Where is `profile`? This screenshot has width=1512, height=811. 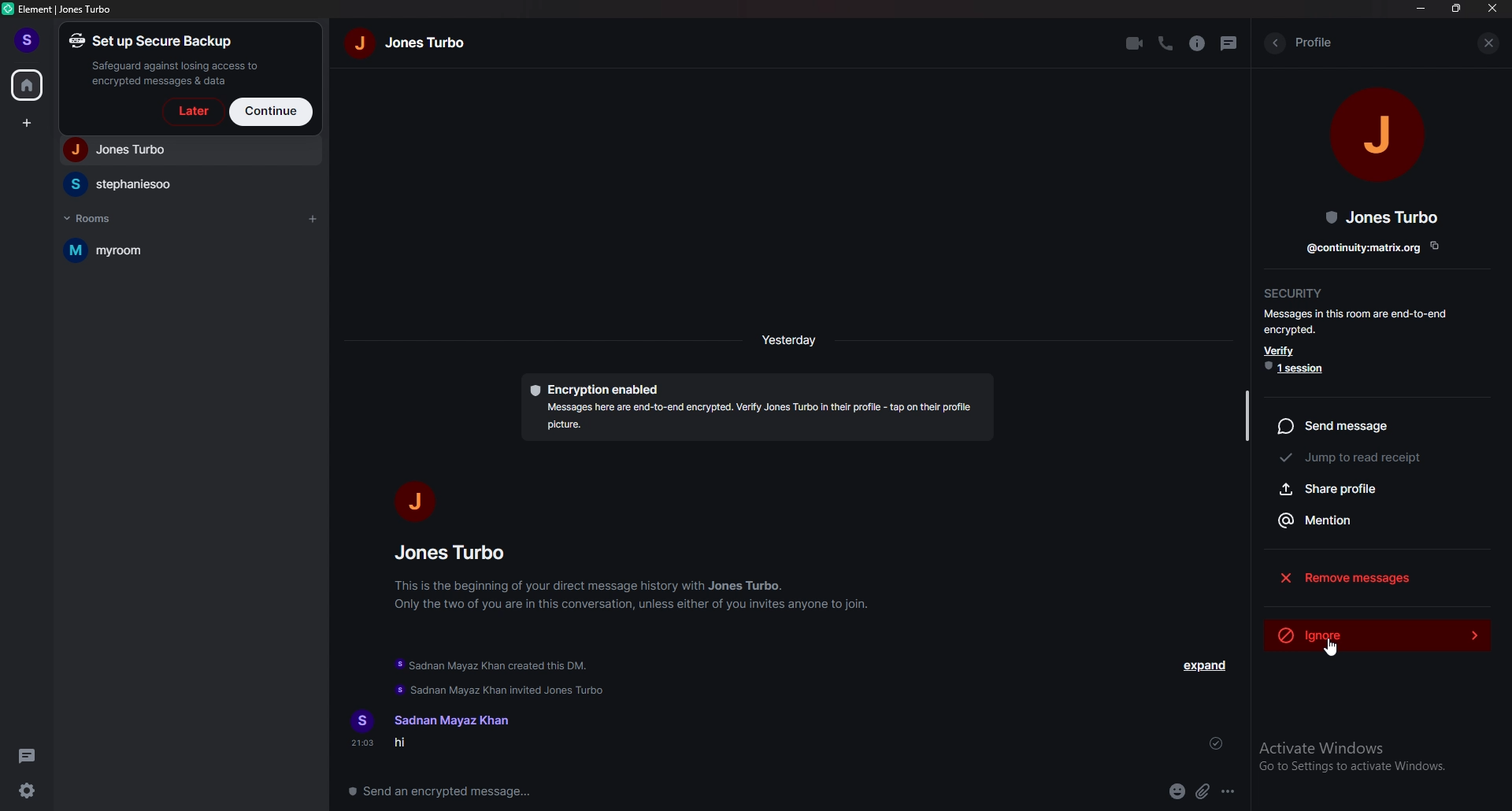
profile is located at coordinates (1314, 41).